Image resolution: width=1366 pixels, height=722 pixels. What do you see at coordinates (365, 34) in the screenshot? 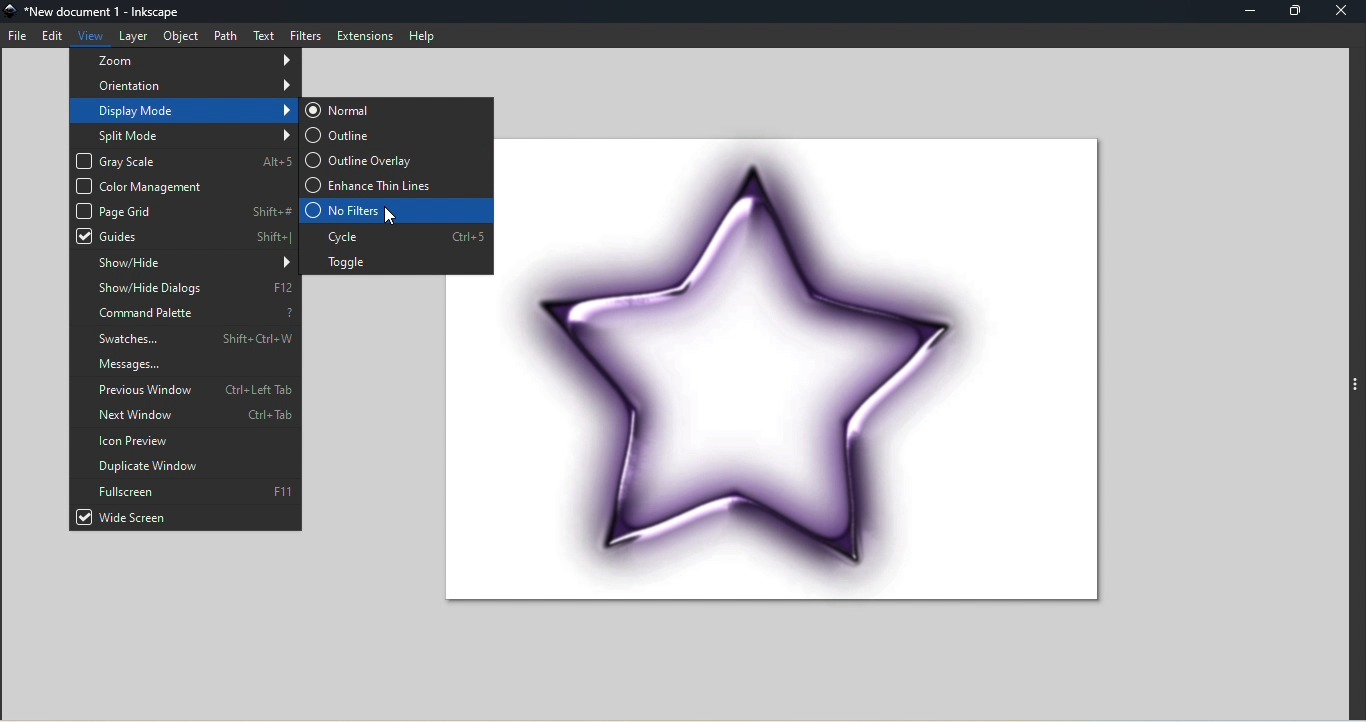
I see `Extensions` at bounding box center [365, 34].